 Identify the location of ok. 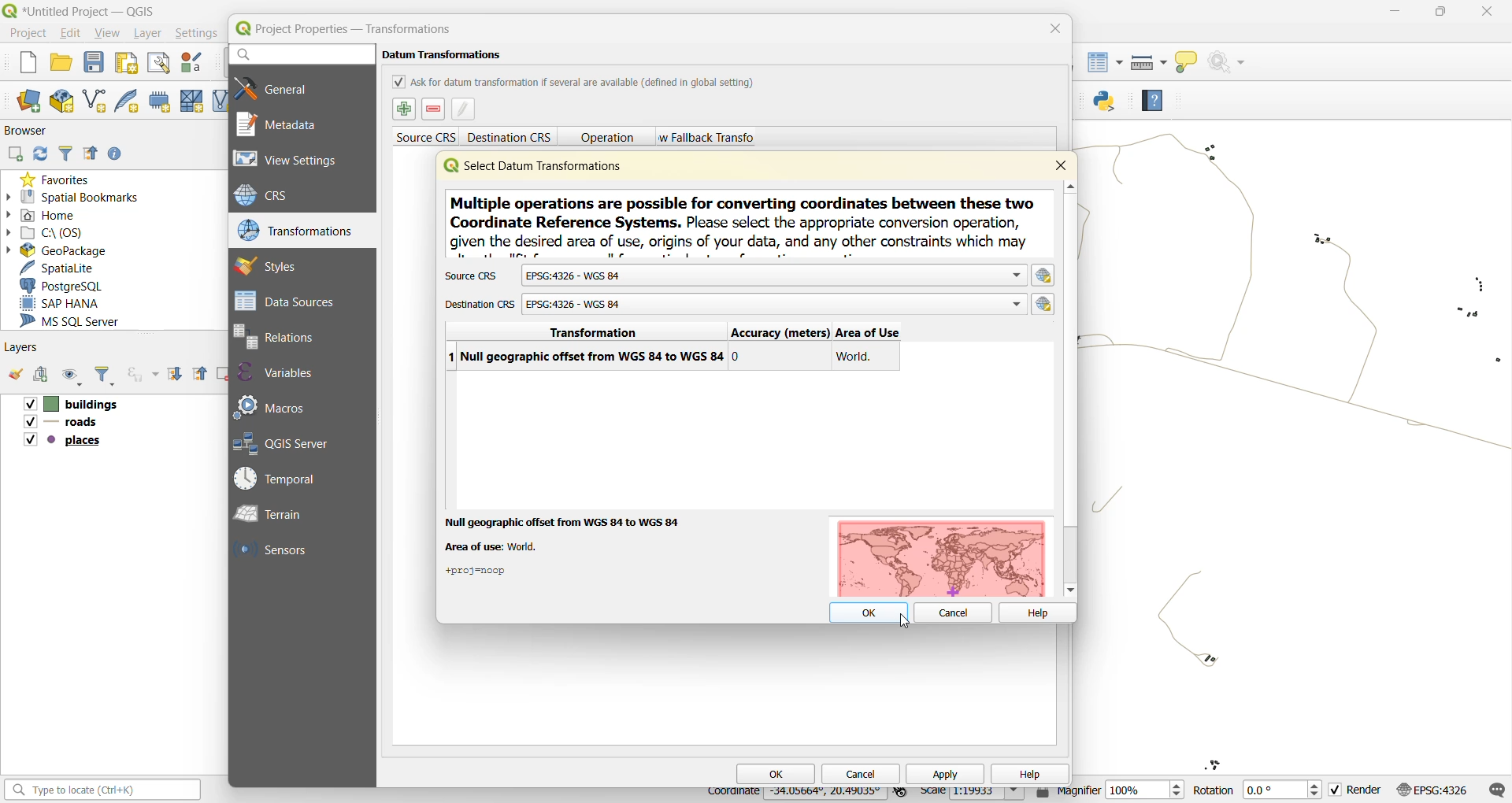
(776, 772).